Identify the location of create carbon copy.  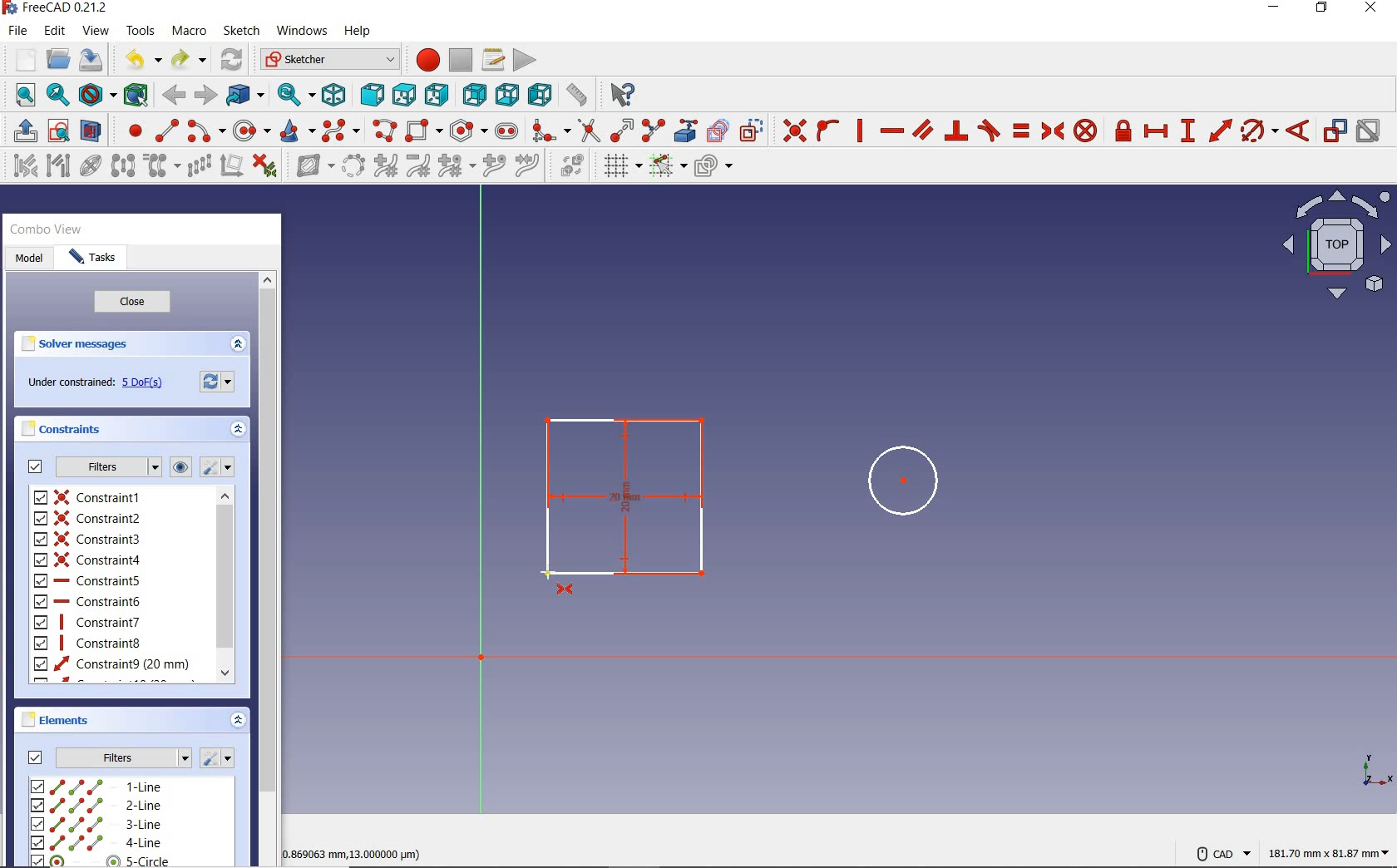
(718, 131).